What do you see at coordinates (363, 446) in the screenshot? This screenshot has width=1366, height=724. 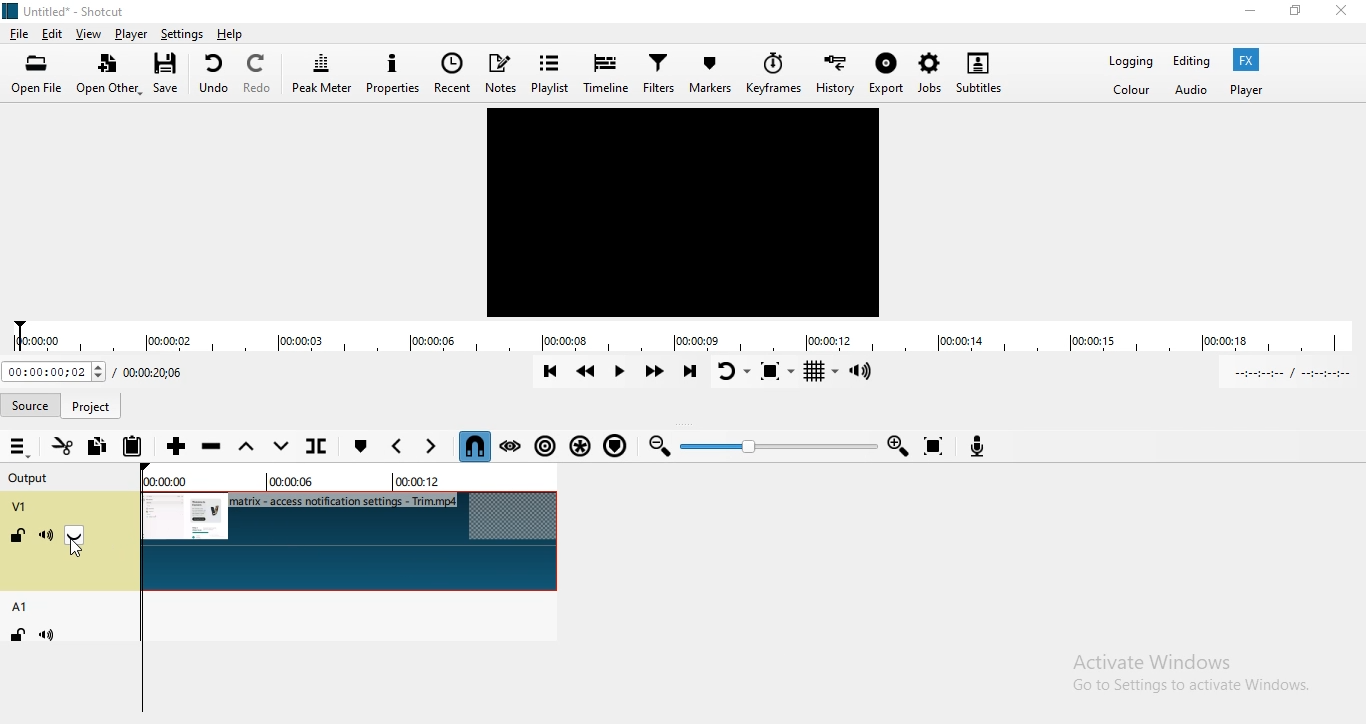 I see `create/edit marker` at bounding box center [363, 446].